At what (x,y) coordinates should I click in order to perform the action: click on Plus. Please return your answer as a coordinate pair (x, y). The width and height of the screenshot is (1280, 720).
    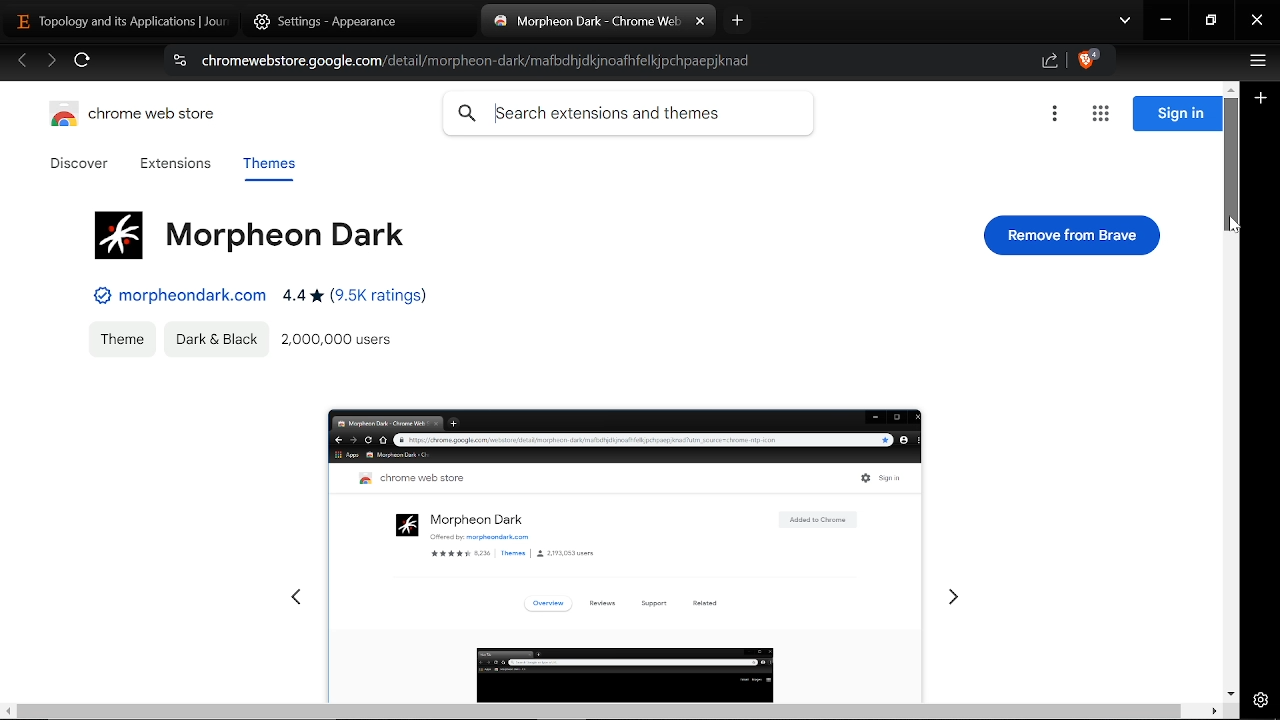
    Looking at the image, I should click on (1262, 100).